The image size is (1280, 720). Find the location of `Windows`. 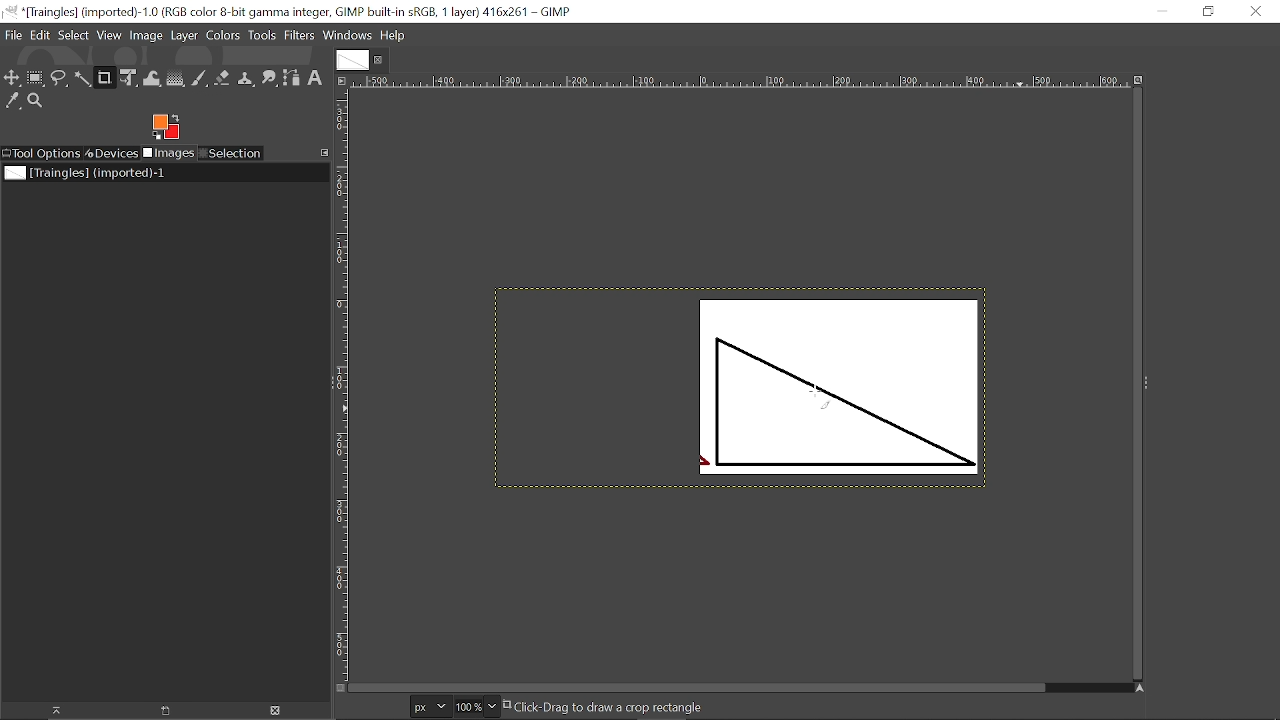

Windows is located at coordinates (347, 36).